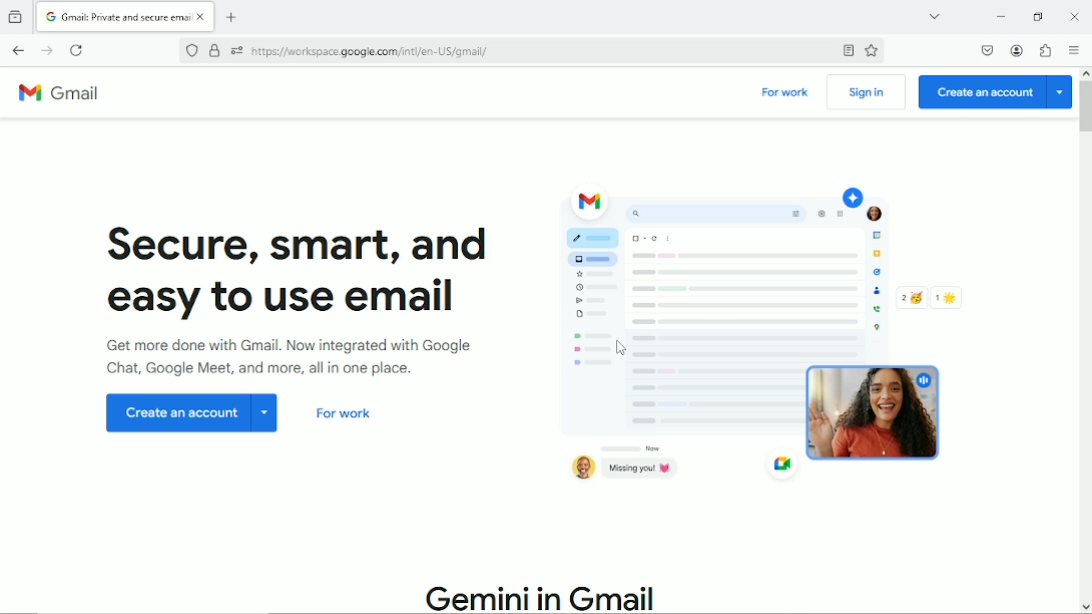 The image size is (1092, 614). I want to click on No trackers known to firefox were detected on this page, so click(190, 51).